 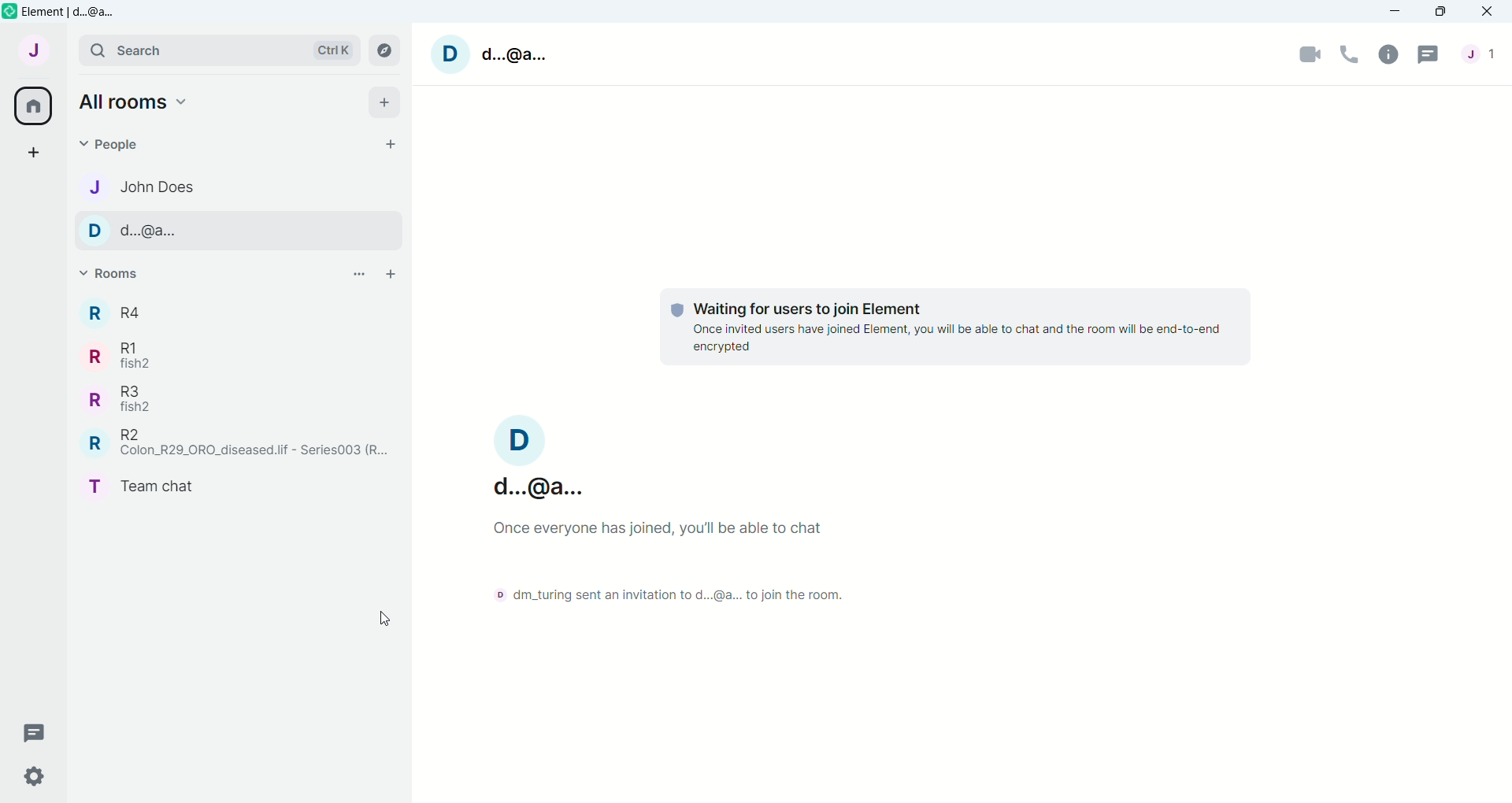 What do you see at coordinates (127, 354) in the screenshot?
I see `R R1 fish2` at bounding box center [127, 354].